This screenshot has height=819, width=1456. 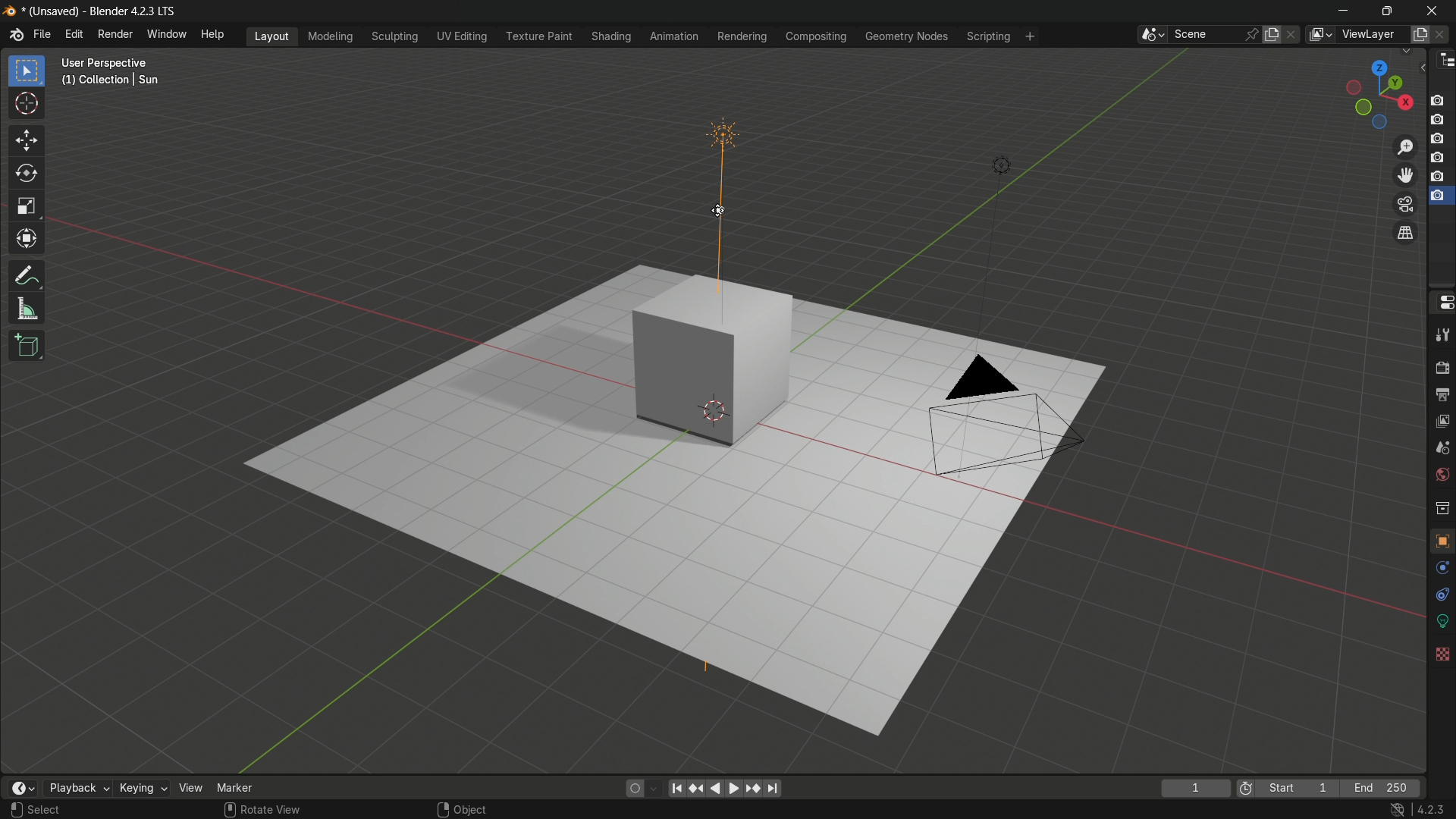 What do you see at coordinates (1148, 35) in the screenshot?
I see `browse scenes` at bounding box center [1148, 35].